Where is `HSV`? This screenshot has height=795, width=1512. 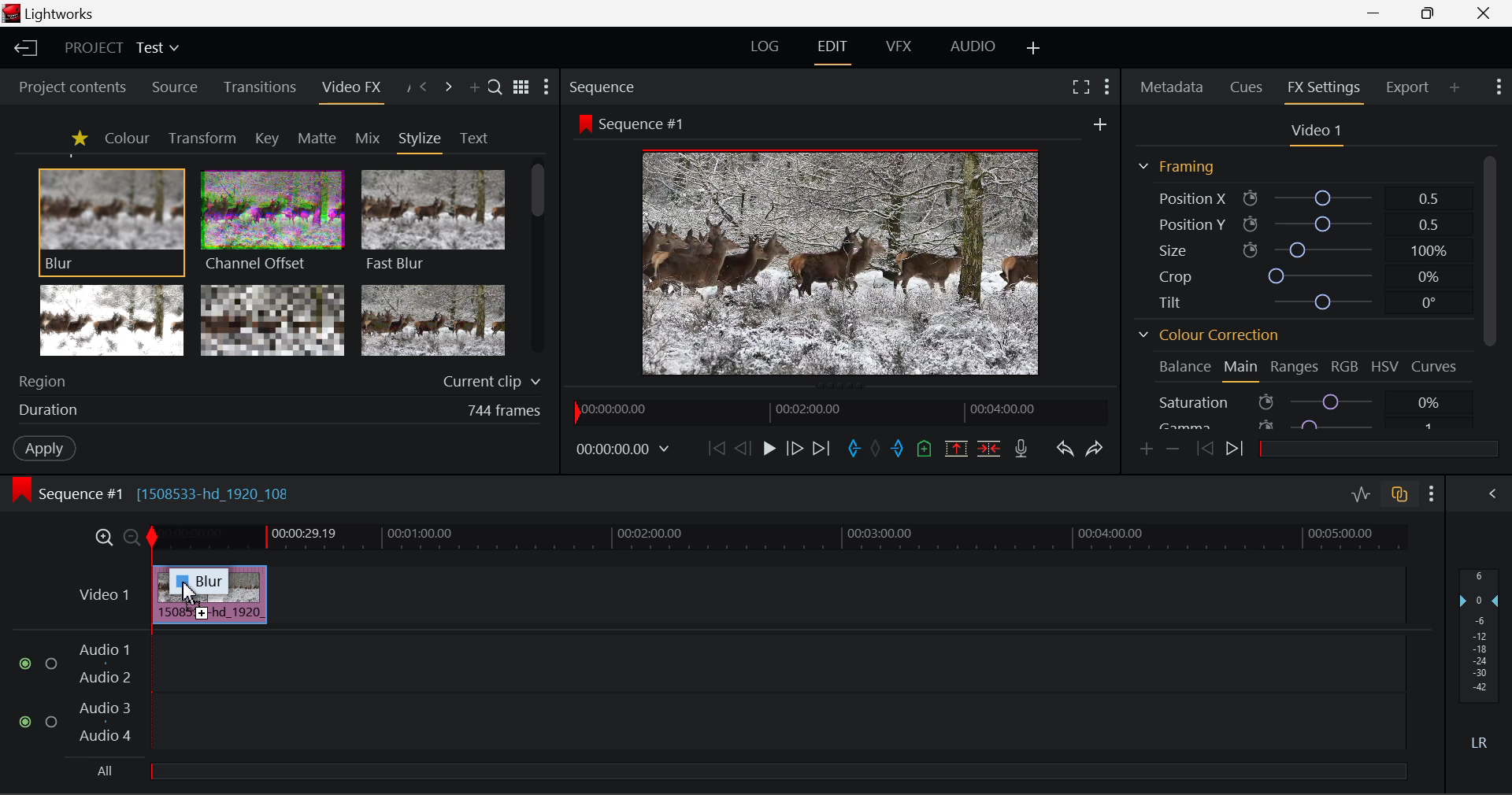
HSV is located at coordinates (1385, 368).